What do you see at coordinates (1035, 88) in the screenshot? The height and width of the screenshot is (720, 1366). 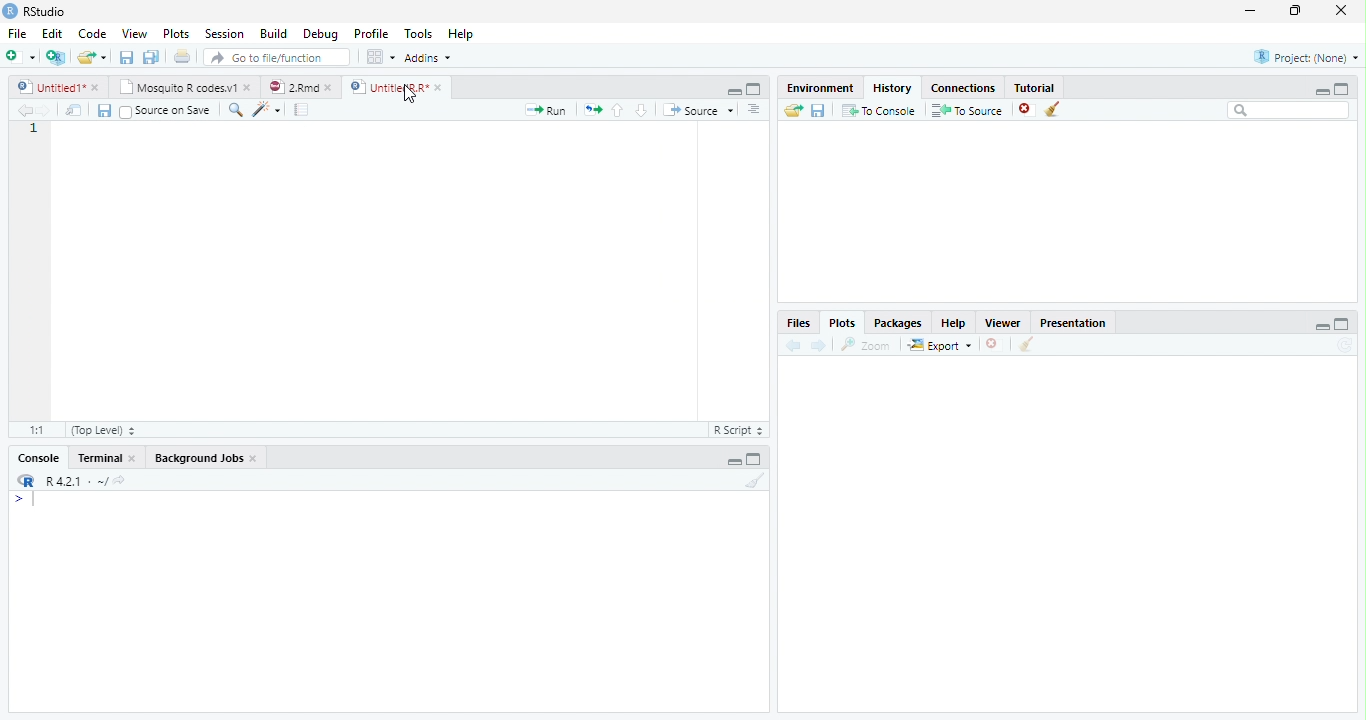 I see `Tutorial` at bounding box center [1035, 88].